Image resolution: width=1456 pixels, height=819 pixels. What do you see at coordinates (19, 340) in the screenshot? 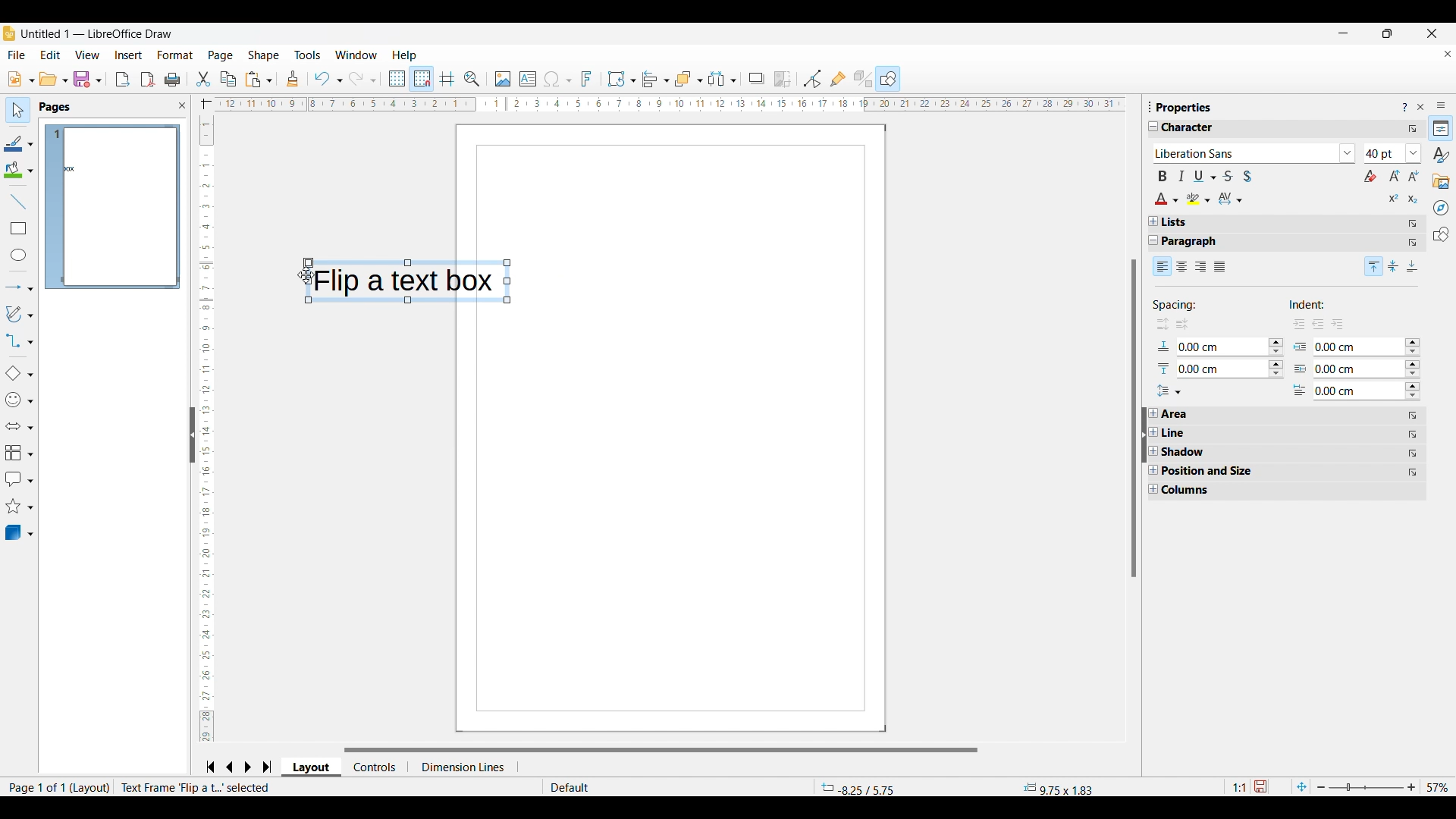
I see `Connector options` at bounding box center [19, 340].